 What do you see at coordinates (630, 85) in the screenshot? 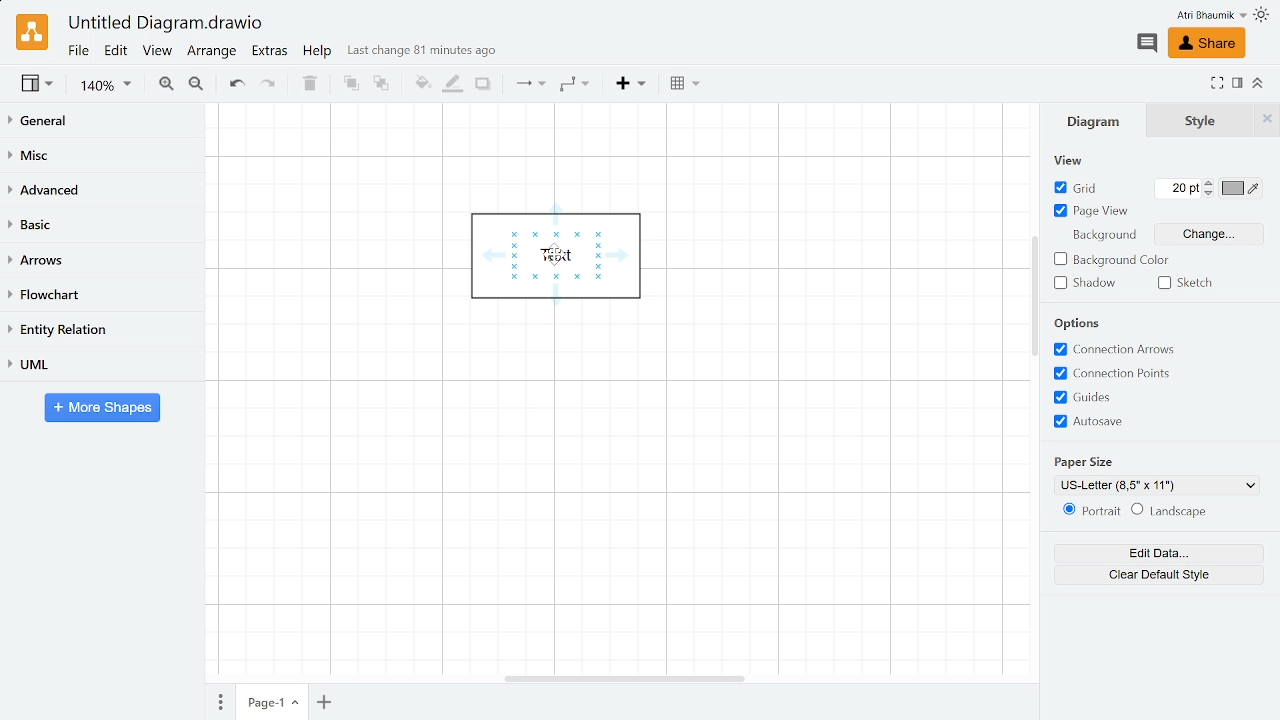
I see `Insert` at bounding box center [630, 85].